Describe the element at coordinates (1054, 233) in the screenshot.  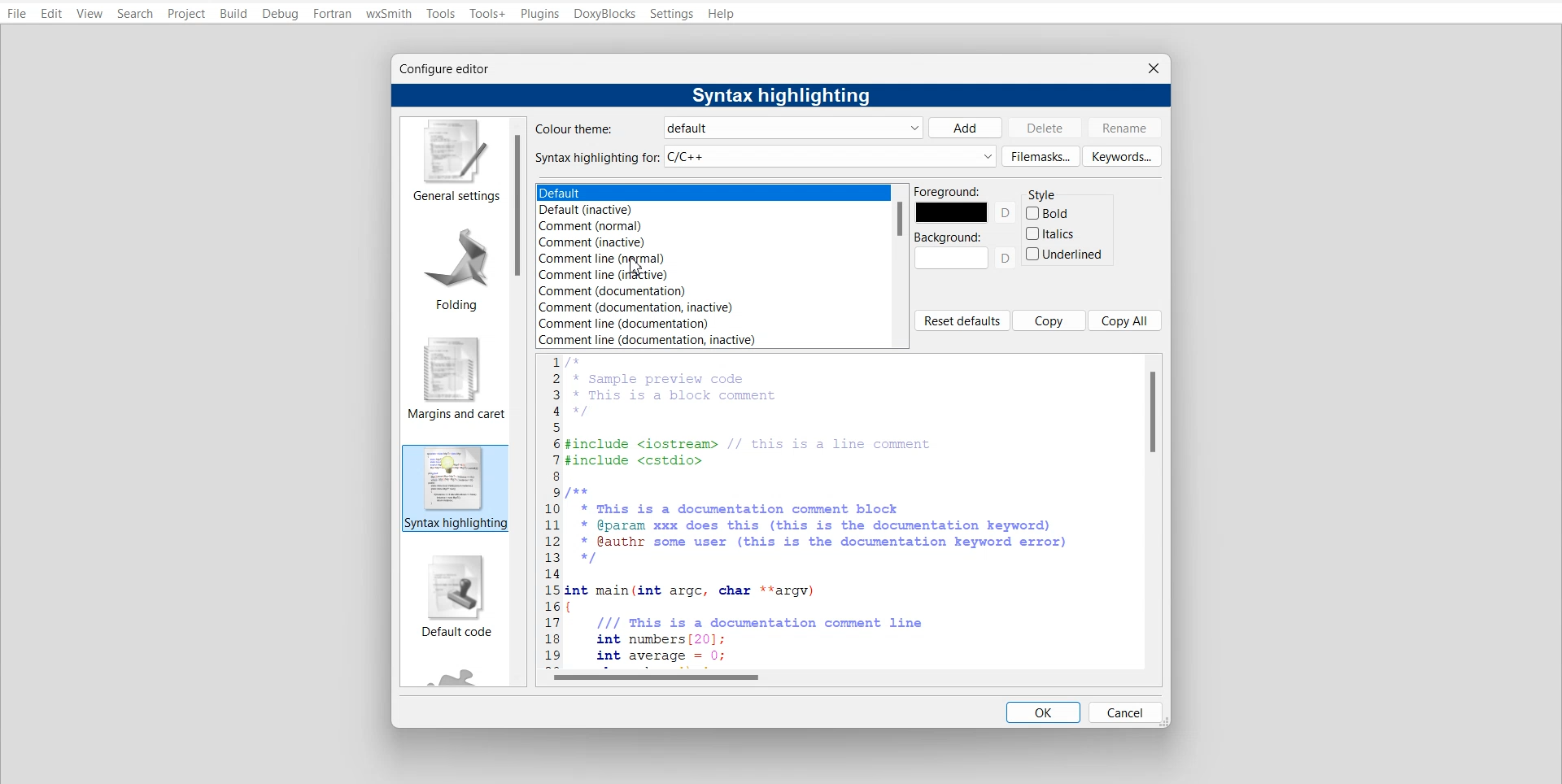
I see `Italics` at that location.